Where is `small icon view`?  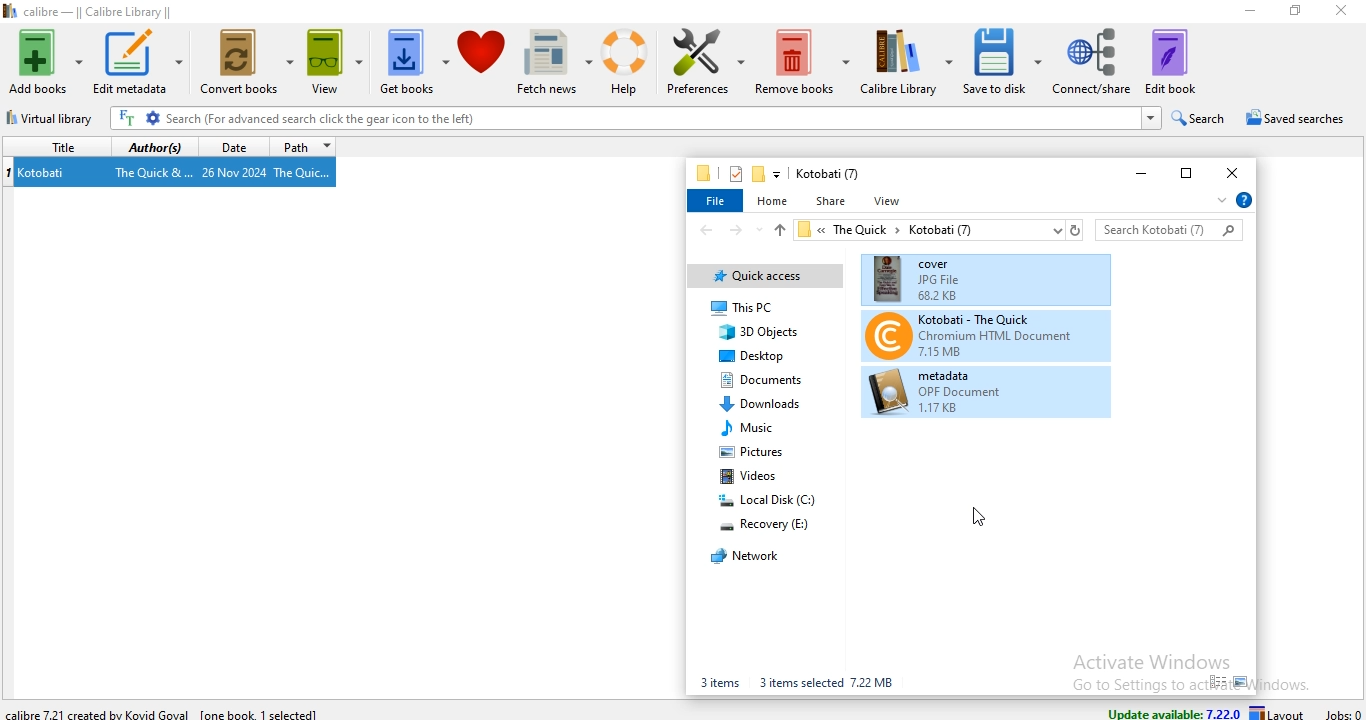 small icon view is located at coordinates (1217, 682).